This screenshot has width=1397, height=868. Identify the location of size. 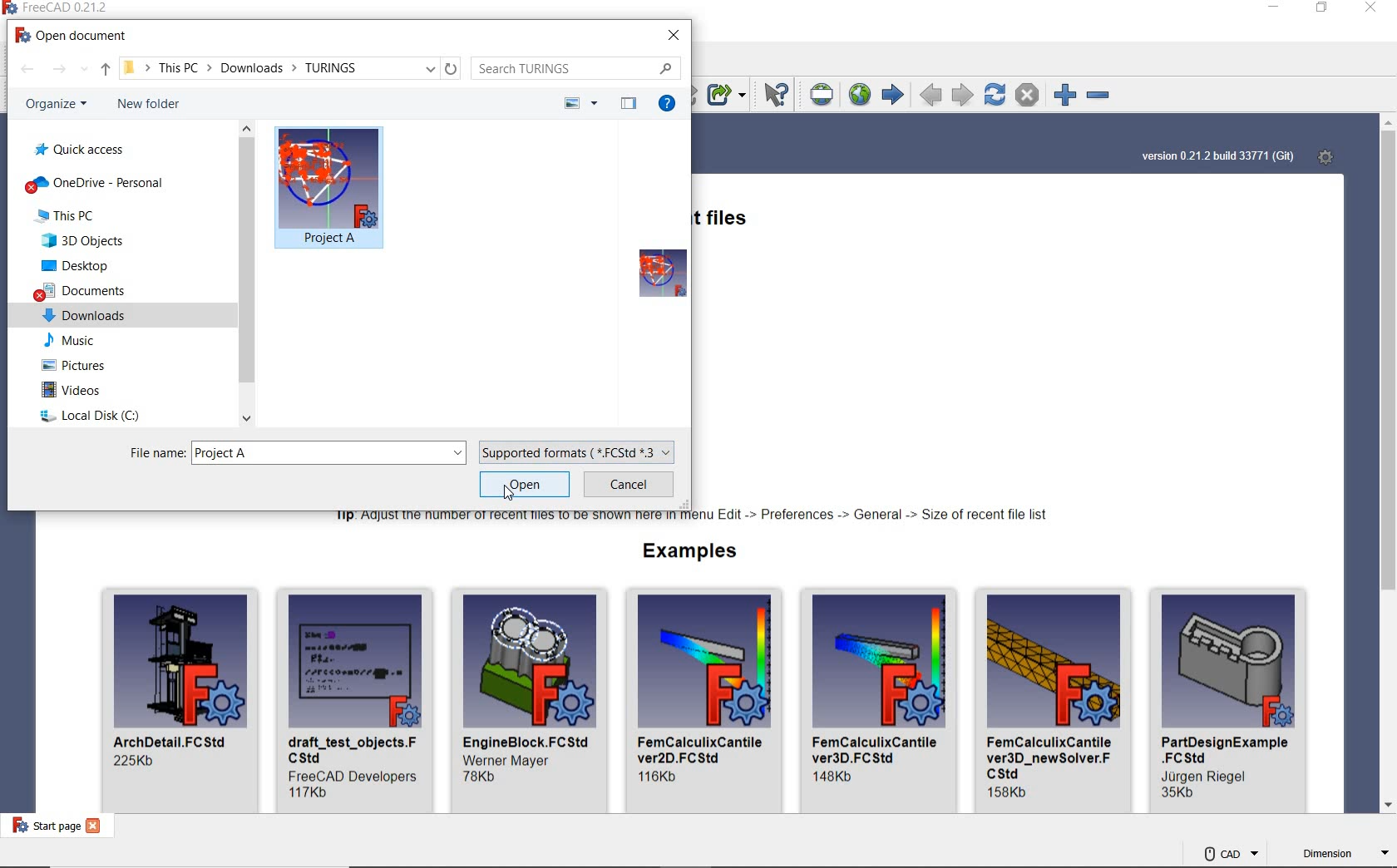
(1010, 793).